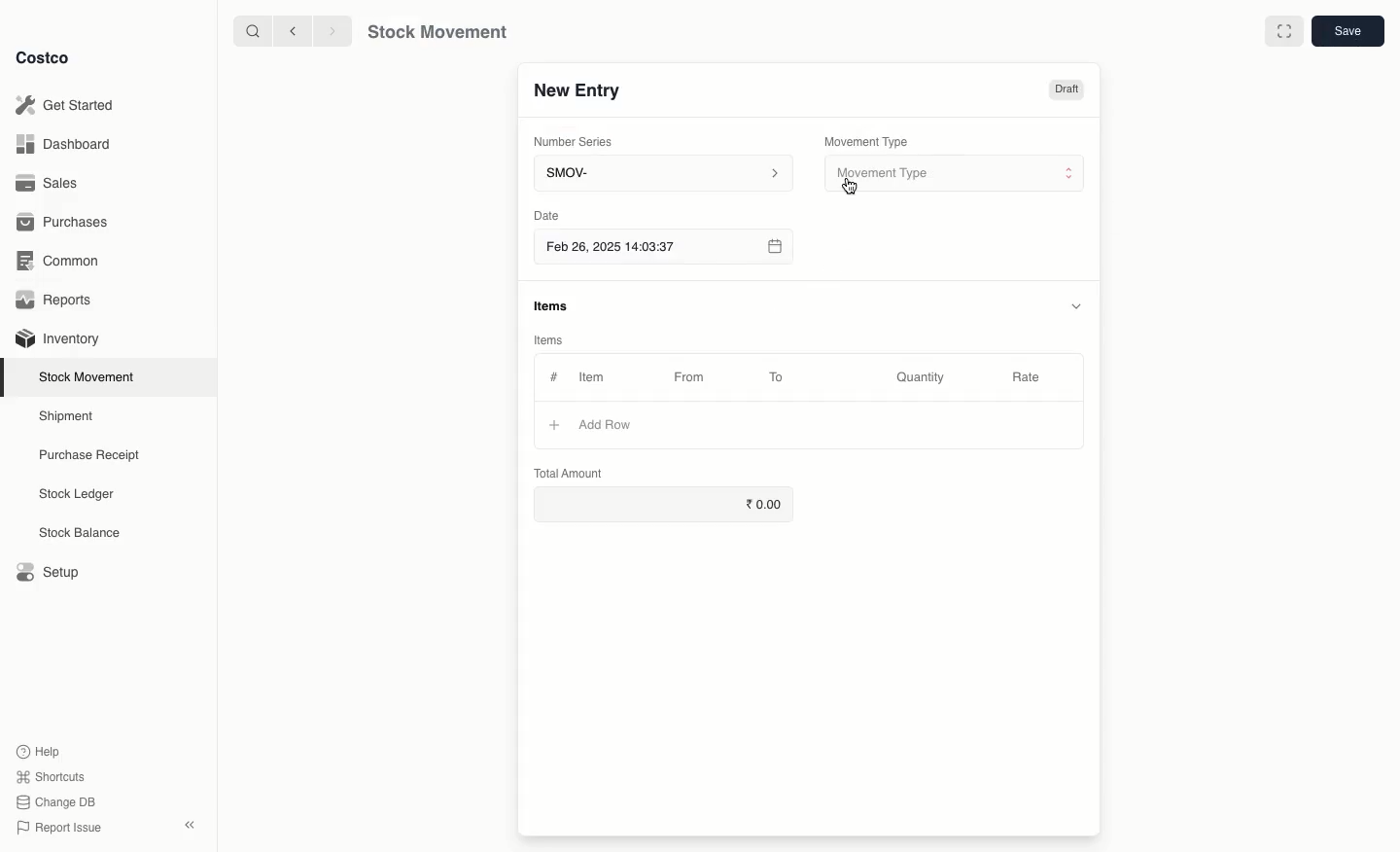 The image size is (1400, 852). Describe the element at coordinates (553, 306) in the screenshot. I see `items` at that location.